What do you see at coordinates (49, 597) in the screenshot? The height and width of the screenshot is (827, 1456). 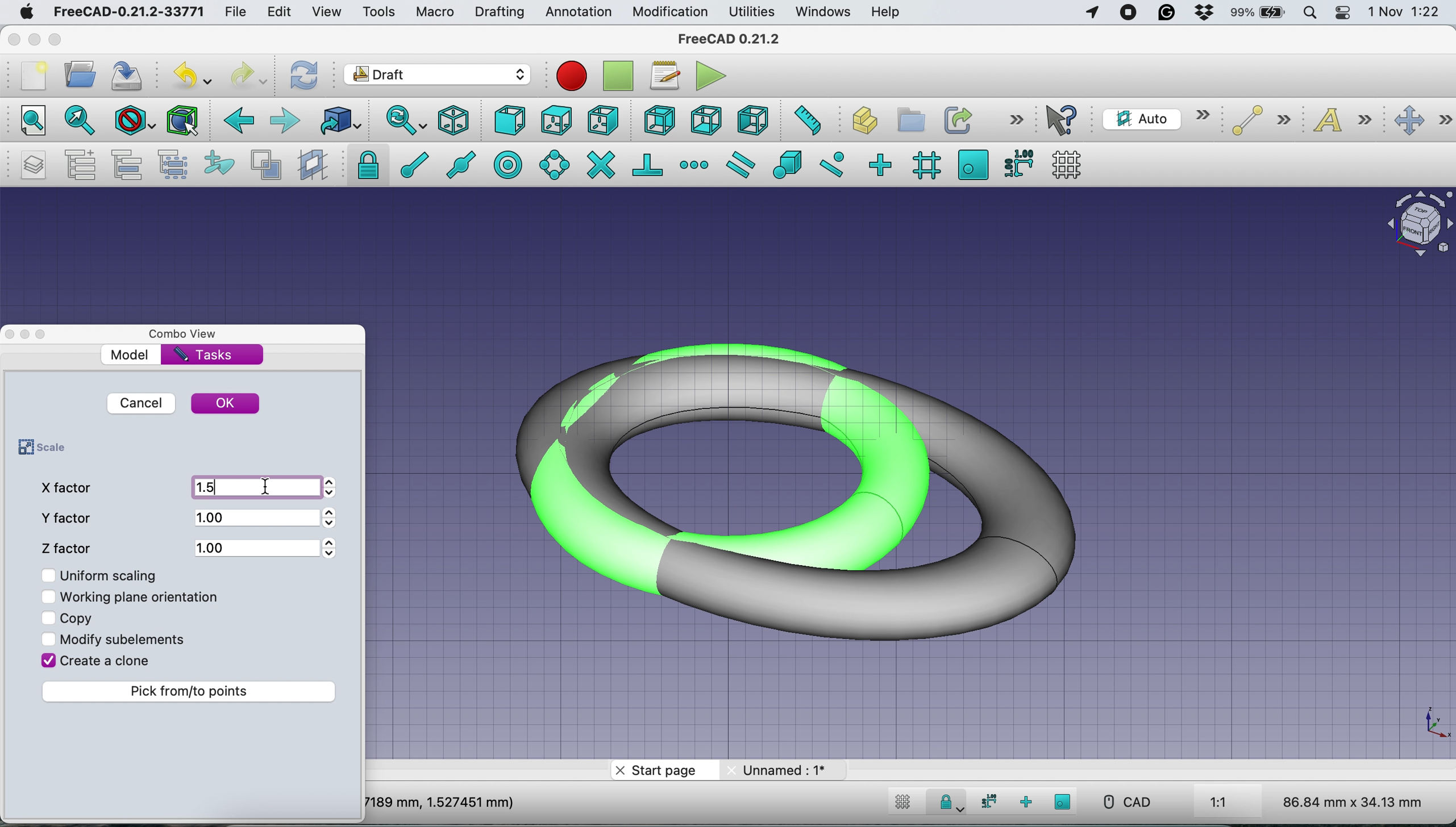 I see `Checkbox` at bounding box center [49, 597].